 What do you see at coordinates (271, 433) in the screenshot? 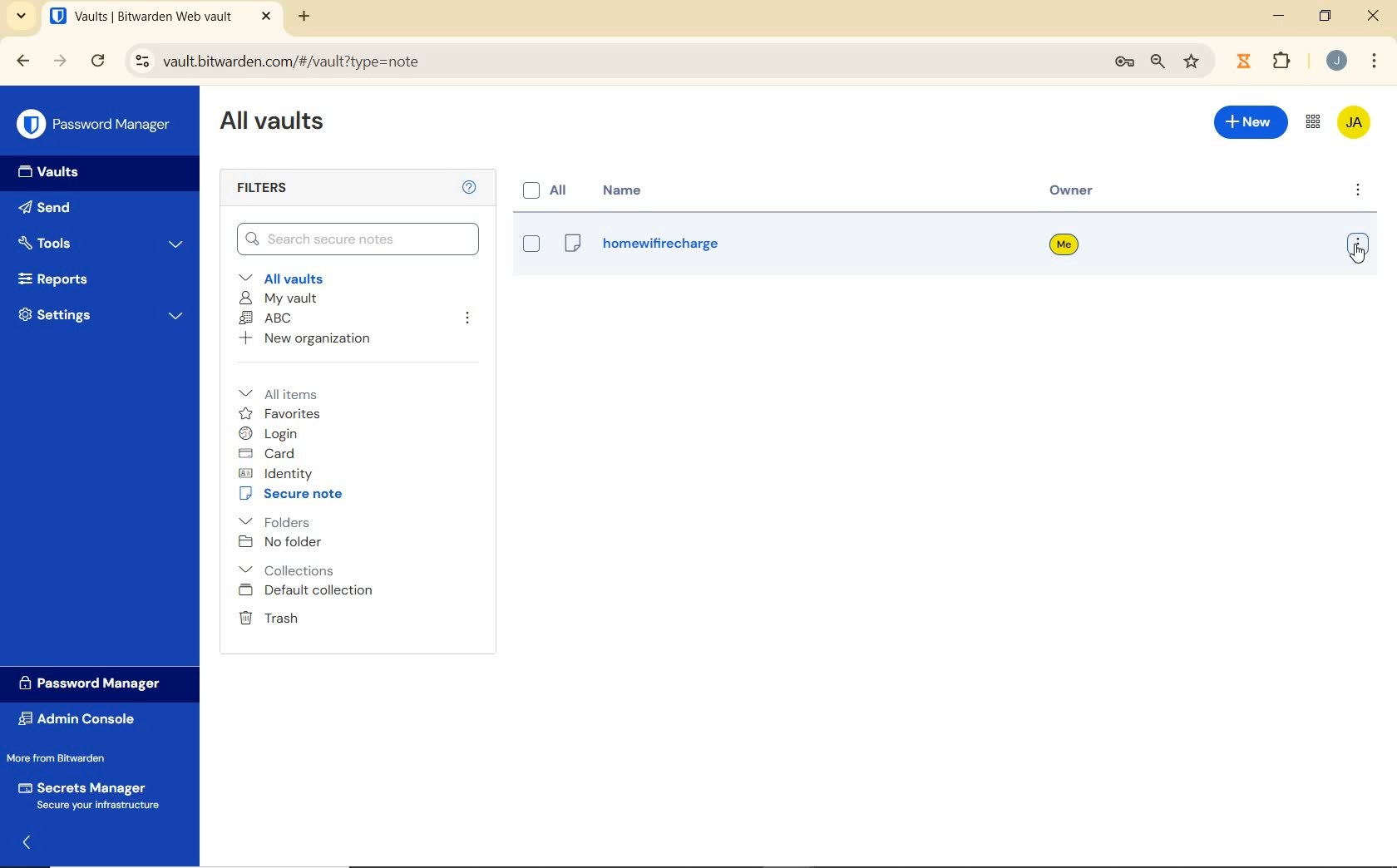
I see `login` at bounding box center [271, 433].